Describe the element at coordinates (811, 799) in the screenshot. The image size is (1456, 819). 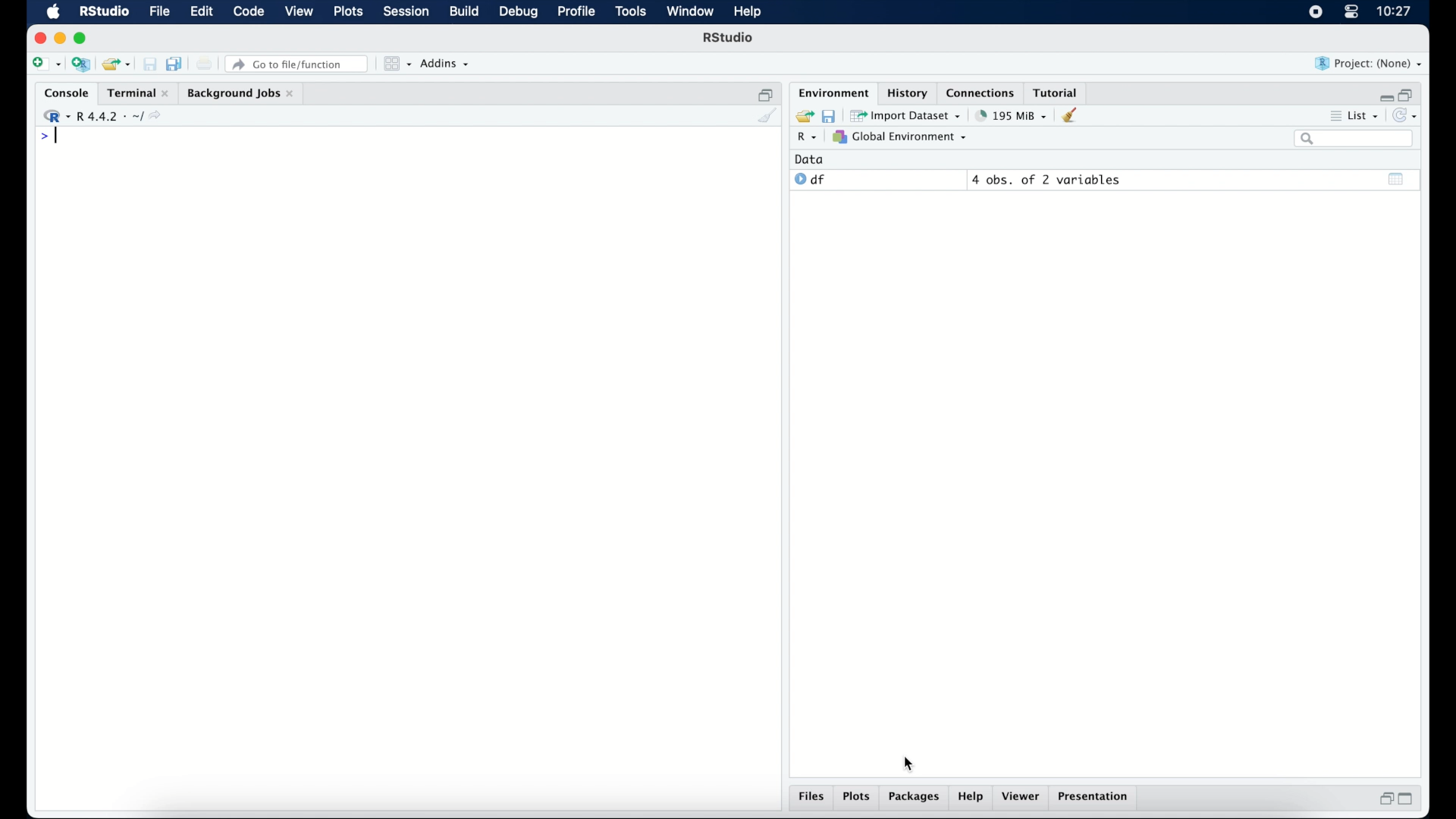
I see `files` at that location.